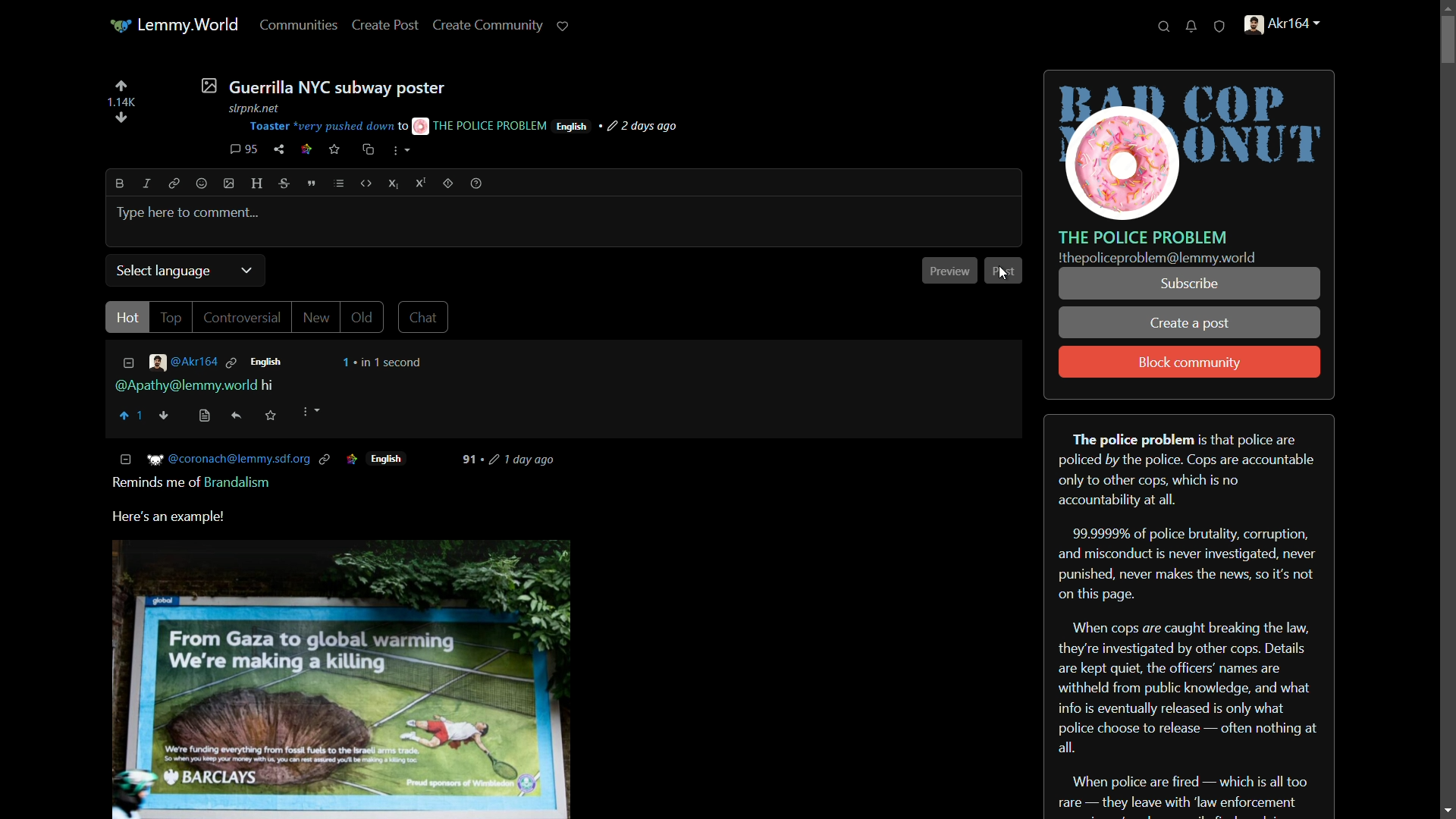 This screenshot has height=819, width=1456. I want to click on less information, so click(128, 364).